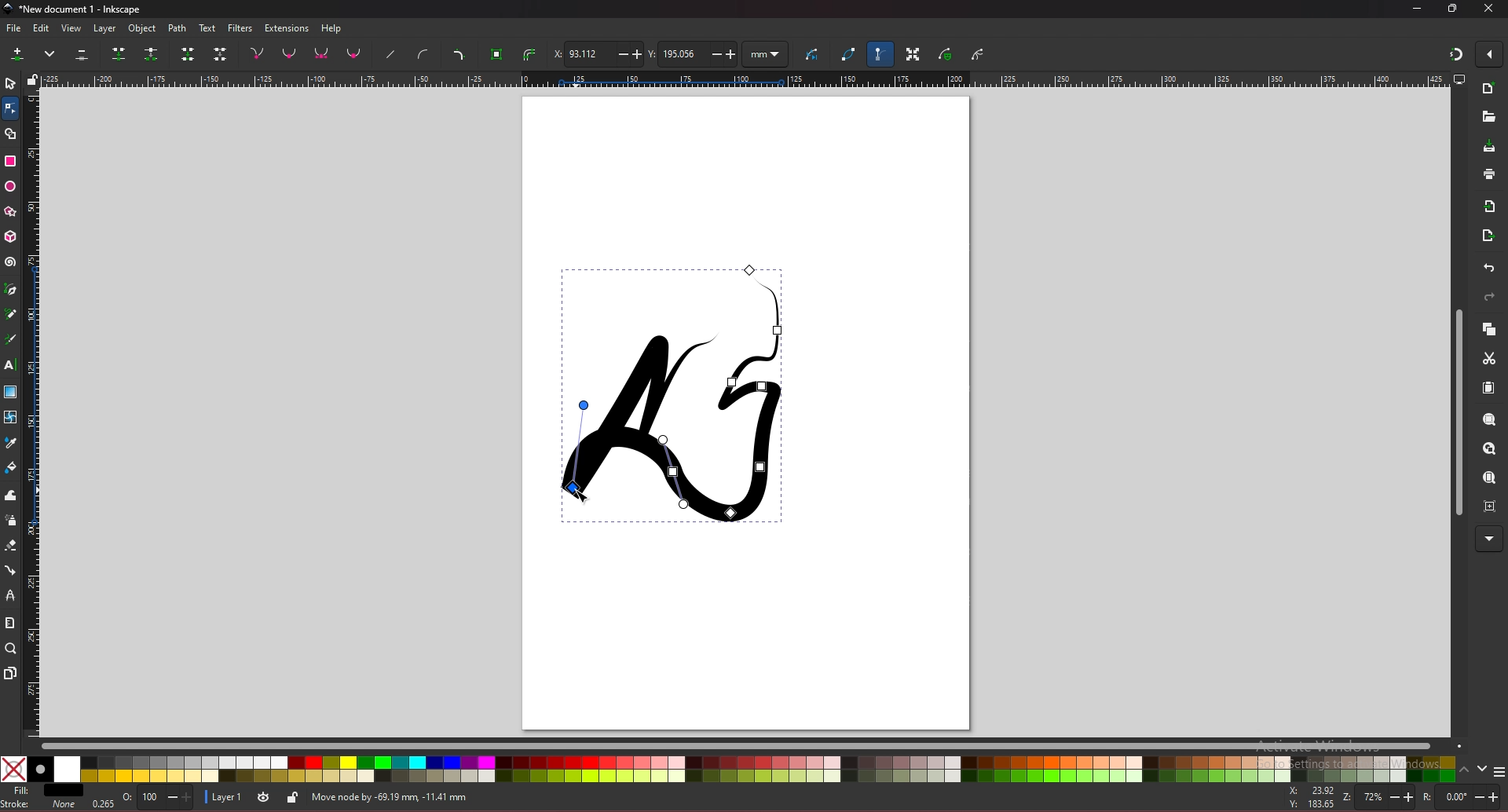 This screenshot has width=1508, height=812. I want to click on import, so click(1490, 207).